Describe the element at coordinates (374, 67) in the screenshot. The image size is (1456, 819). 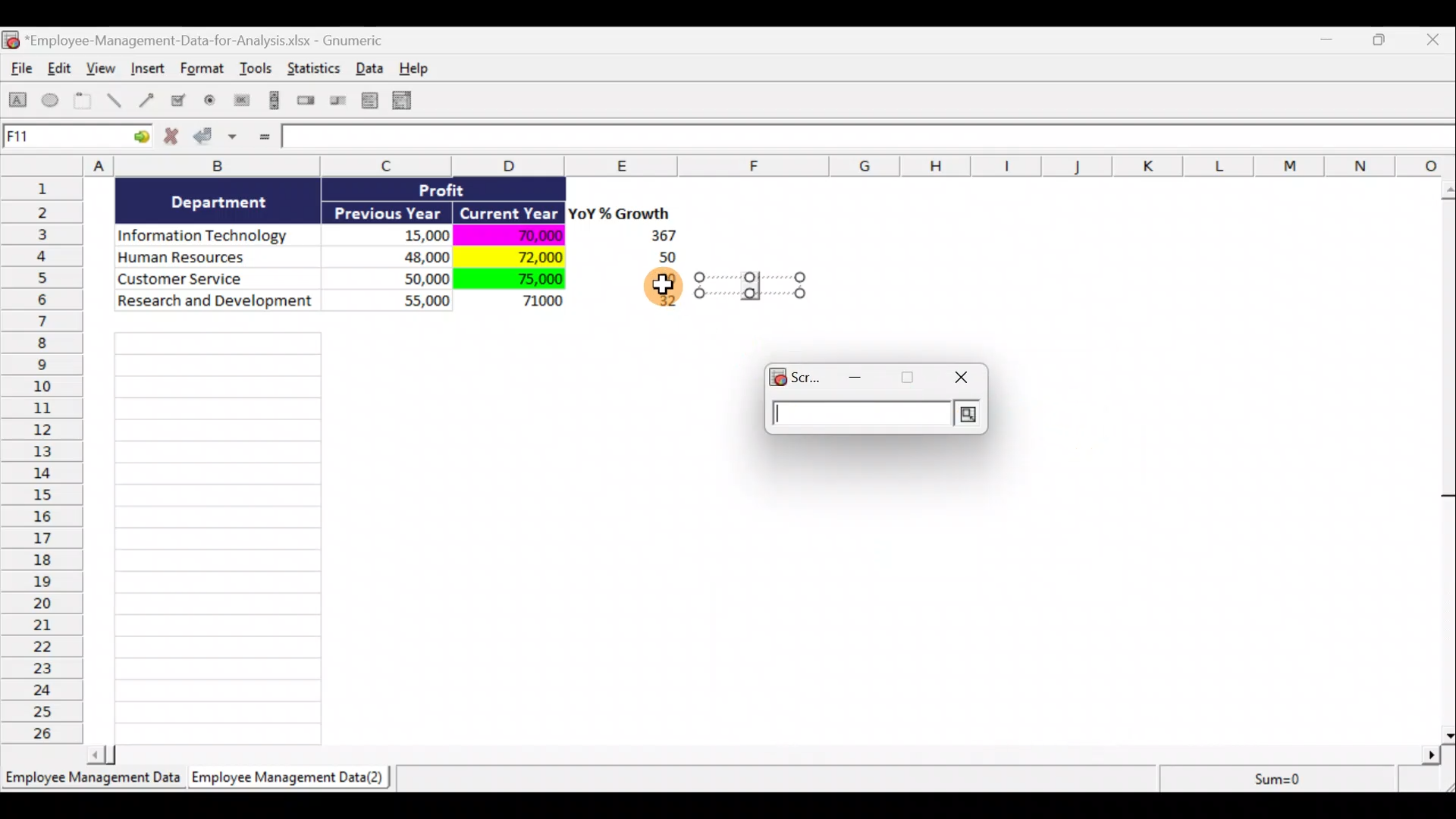
I see `Data` at that location.